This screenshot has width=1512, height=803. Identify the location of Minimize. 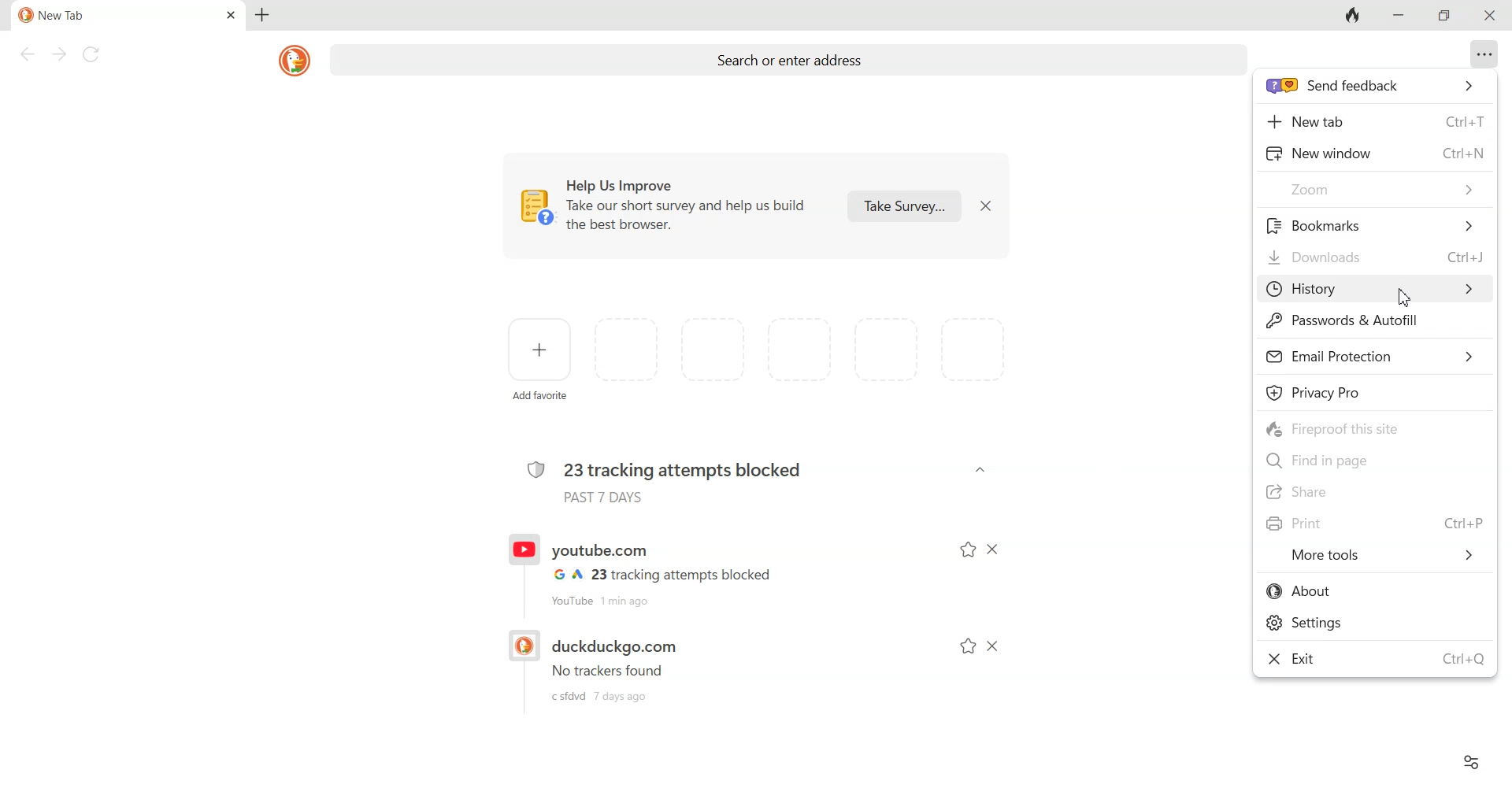
(1396, 16).